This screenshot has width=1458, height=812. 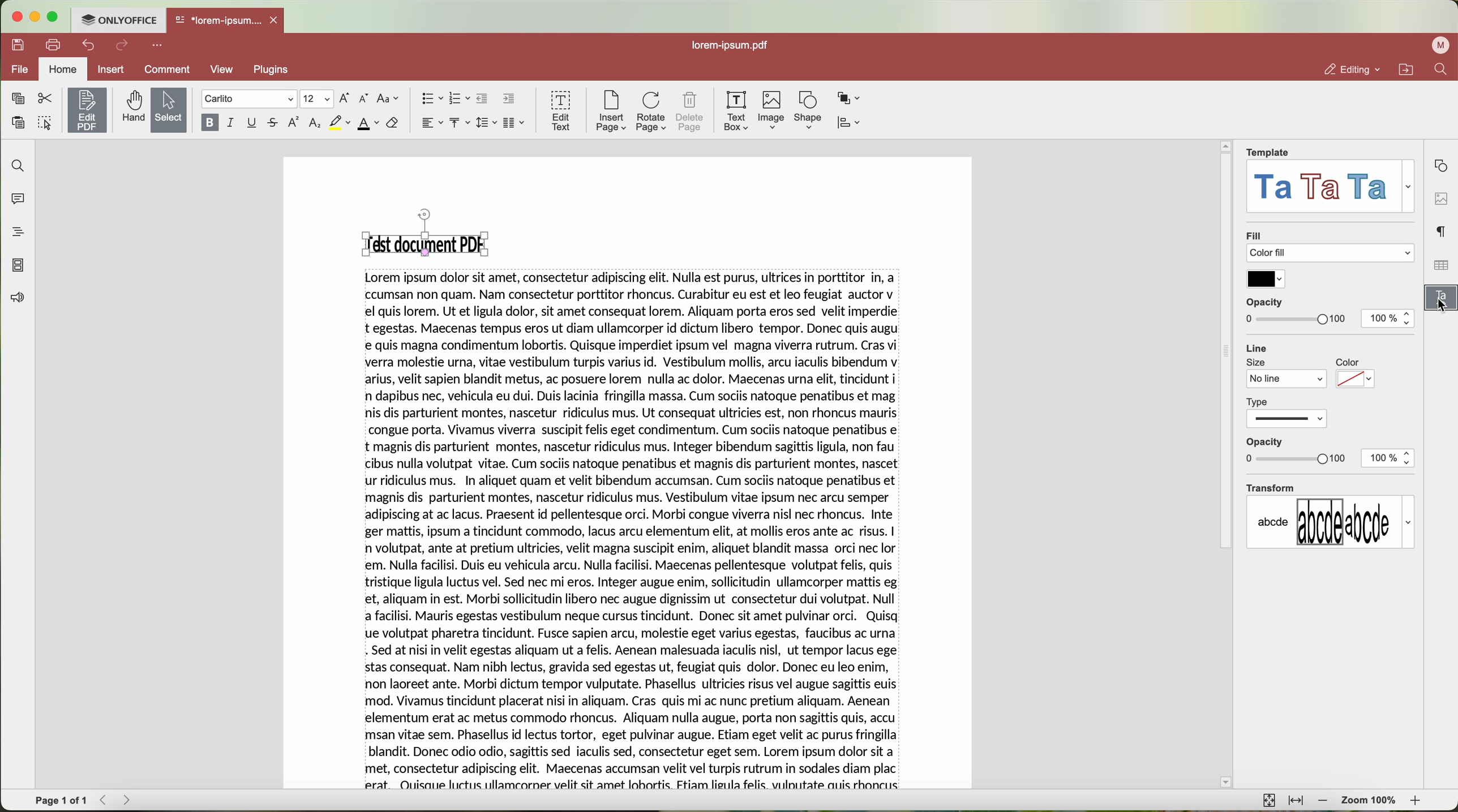 What do you see at coordinates (15, 233) in the screenshot?
I see `headings` at bounding box center [15, 233].